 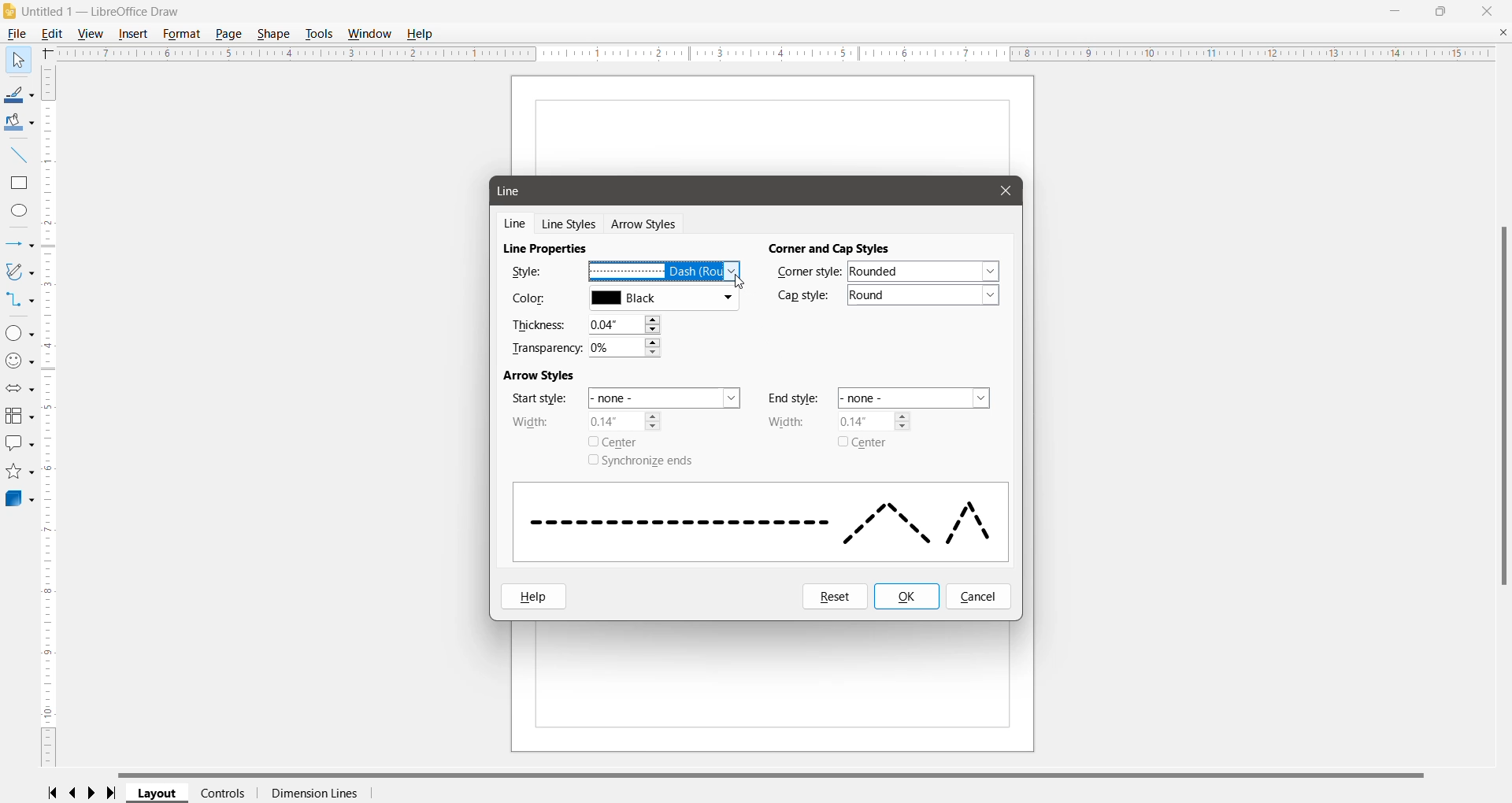 What do you see at coordinates (773, 775) in the screenshot?
I see `Horizontal Scroll Bar` at bounding box center [773, 775].